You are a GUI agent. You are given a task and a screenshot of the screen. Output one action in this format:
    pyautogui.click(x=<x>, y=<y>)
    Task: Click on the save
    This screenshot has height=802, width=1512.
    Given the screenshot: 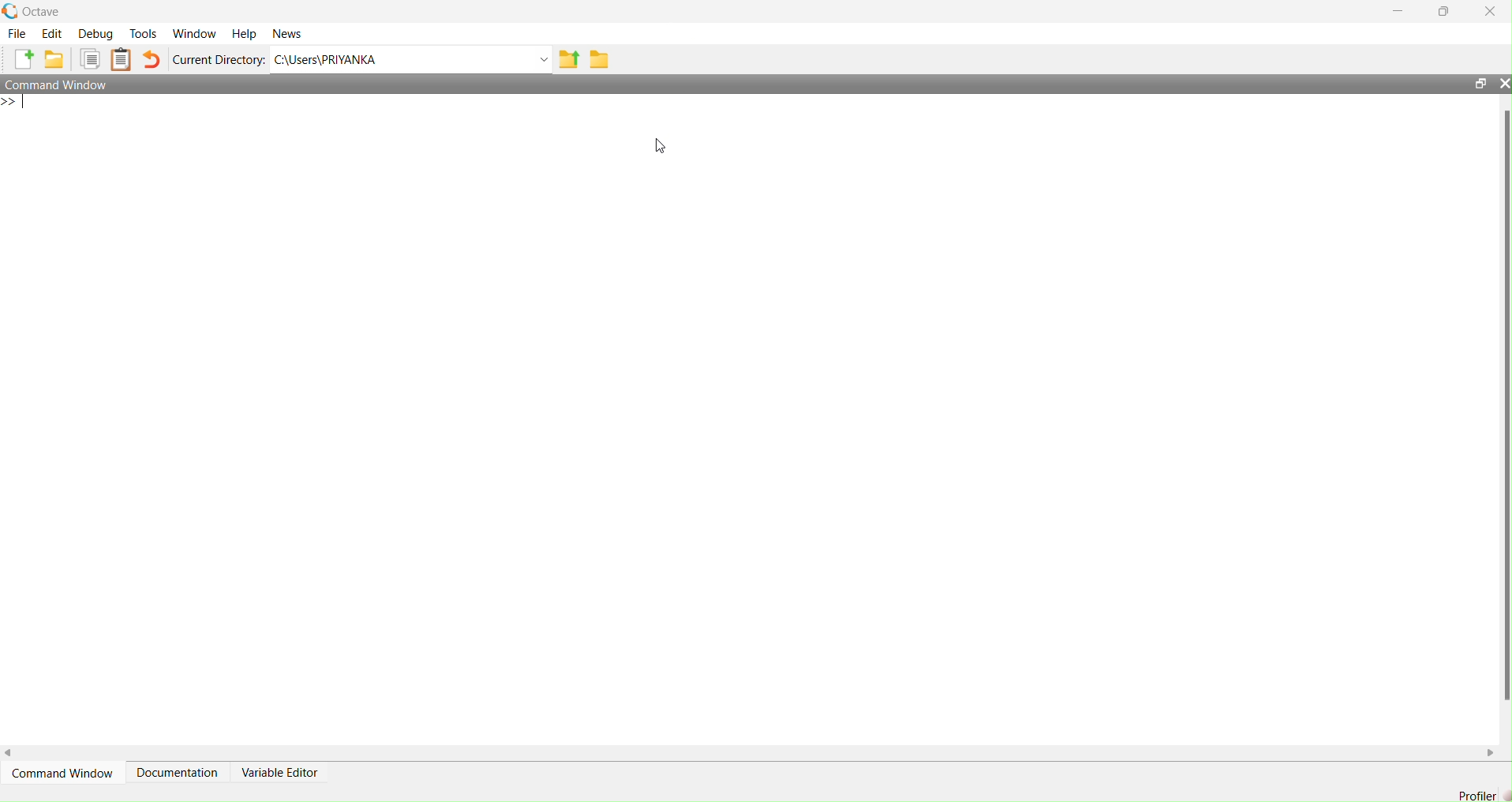 What is the action you would take?
    pyautogui.click(x=54, y=60)
    